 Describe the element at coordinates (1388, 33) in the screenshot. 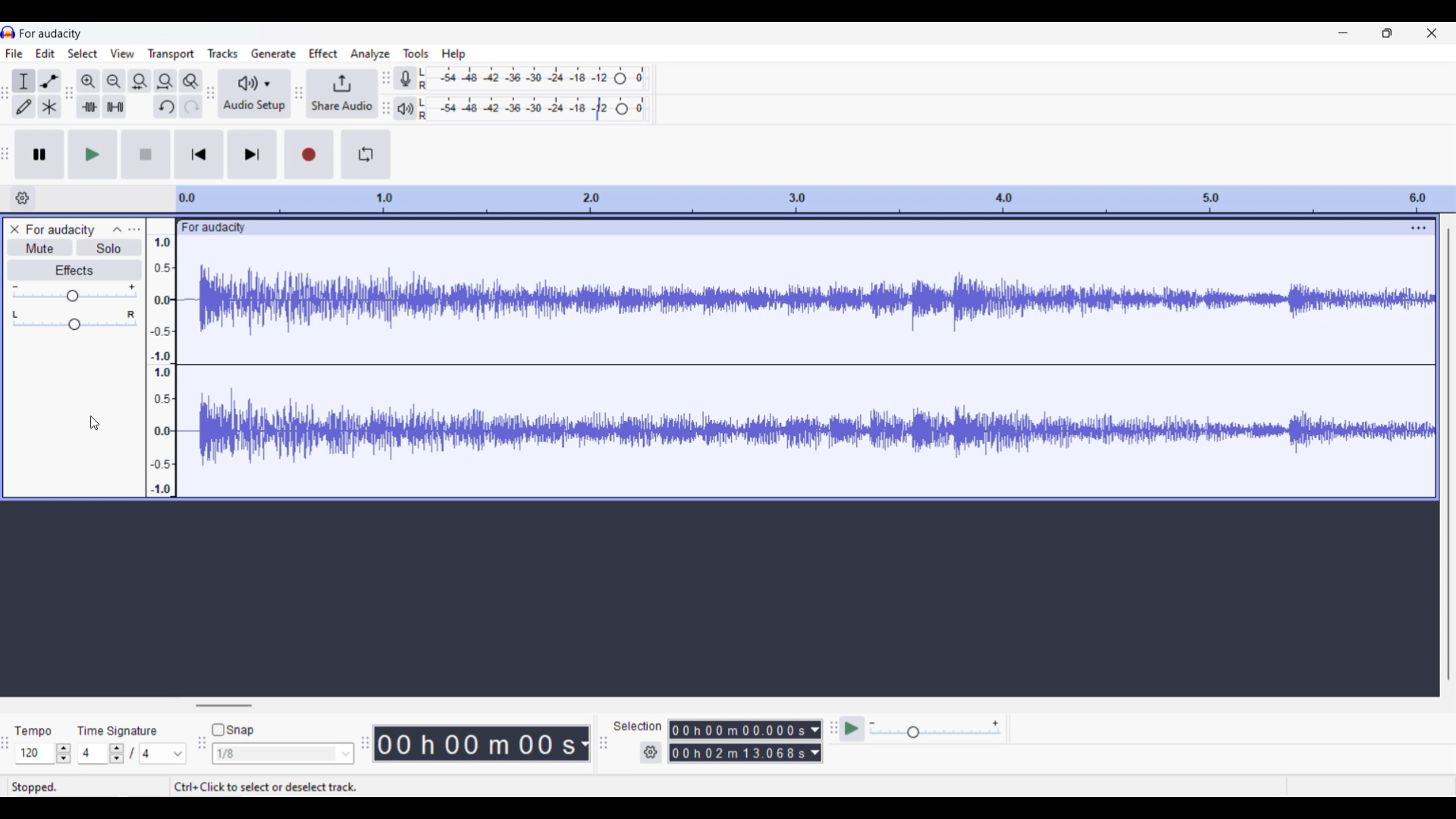

I see `Show in smaller tab` at that location.